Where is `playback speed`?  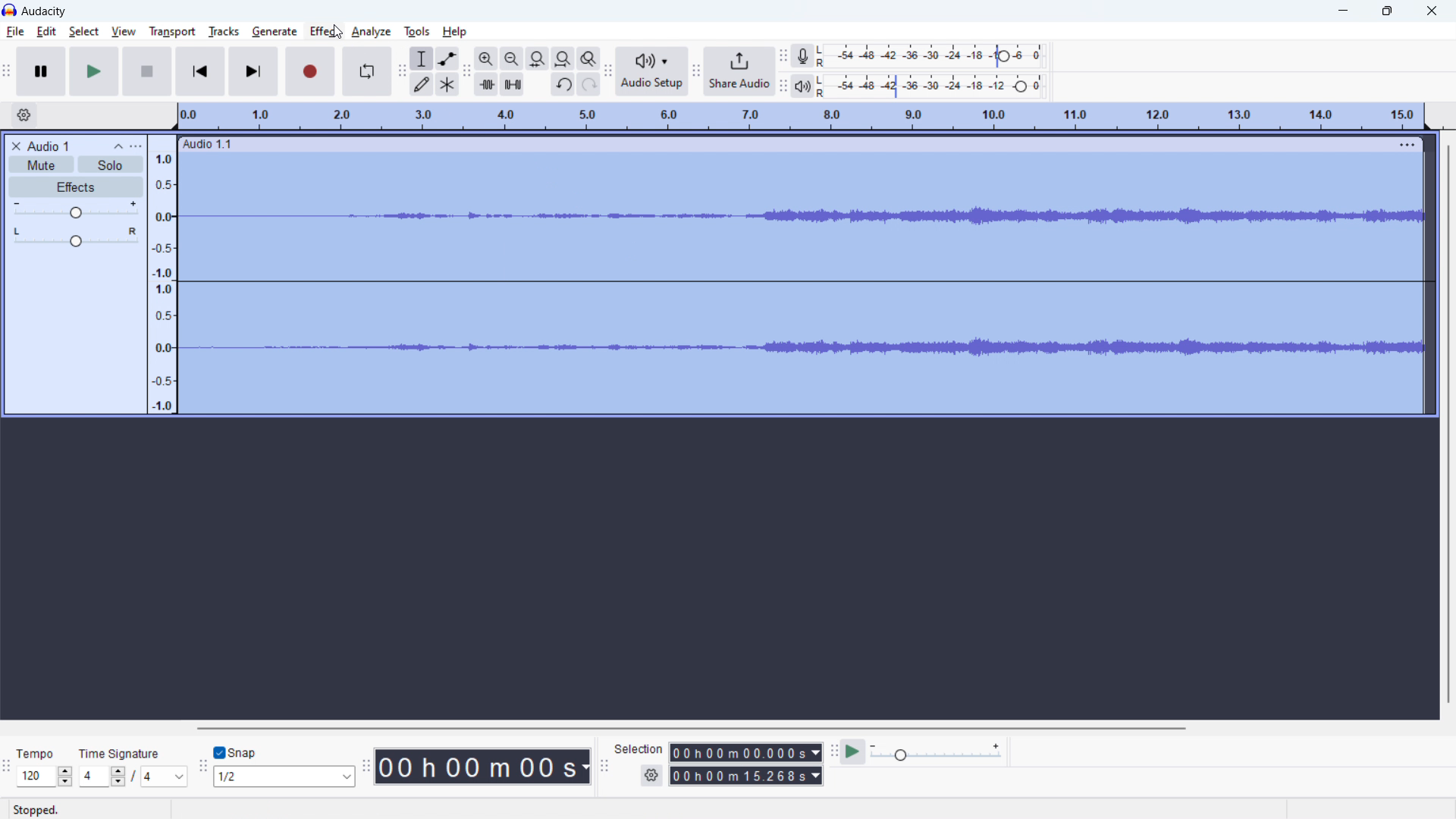 playback speed is located at coordinates (937, 753).